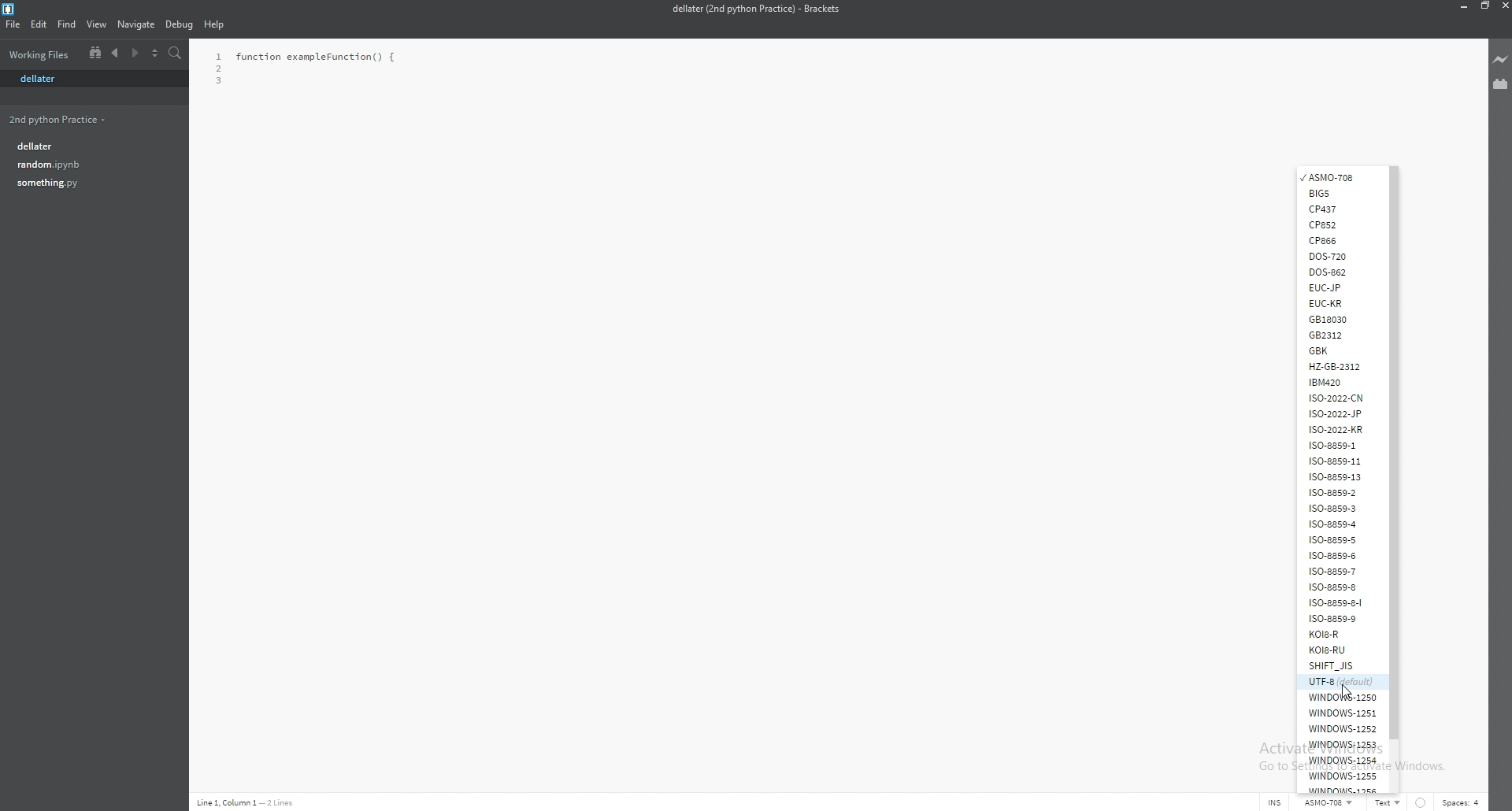 The width and height of the screenshot is (1512, 811). What do you see at coordinates (1340, 286) in the screenshot?
I see `euc-jp` at bounding box center [1340, 286].